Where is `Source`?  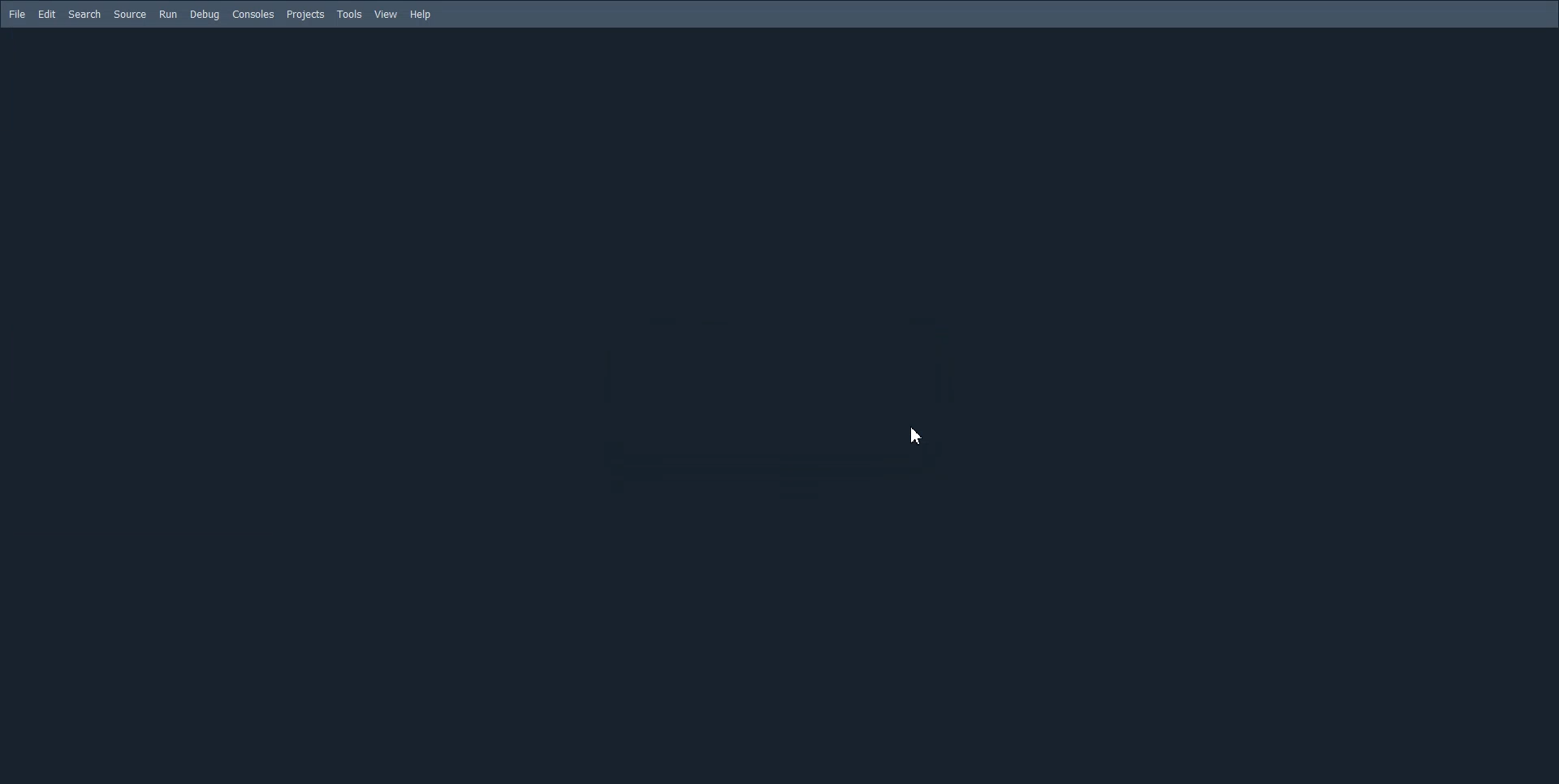 Source is located at coordinates (130, 14).